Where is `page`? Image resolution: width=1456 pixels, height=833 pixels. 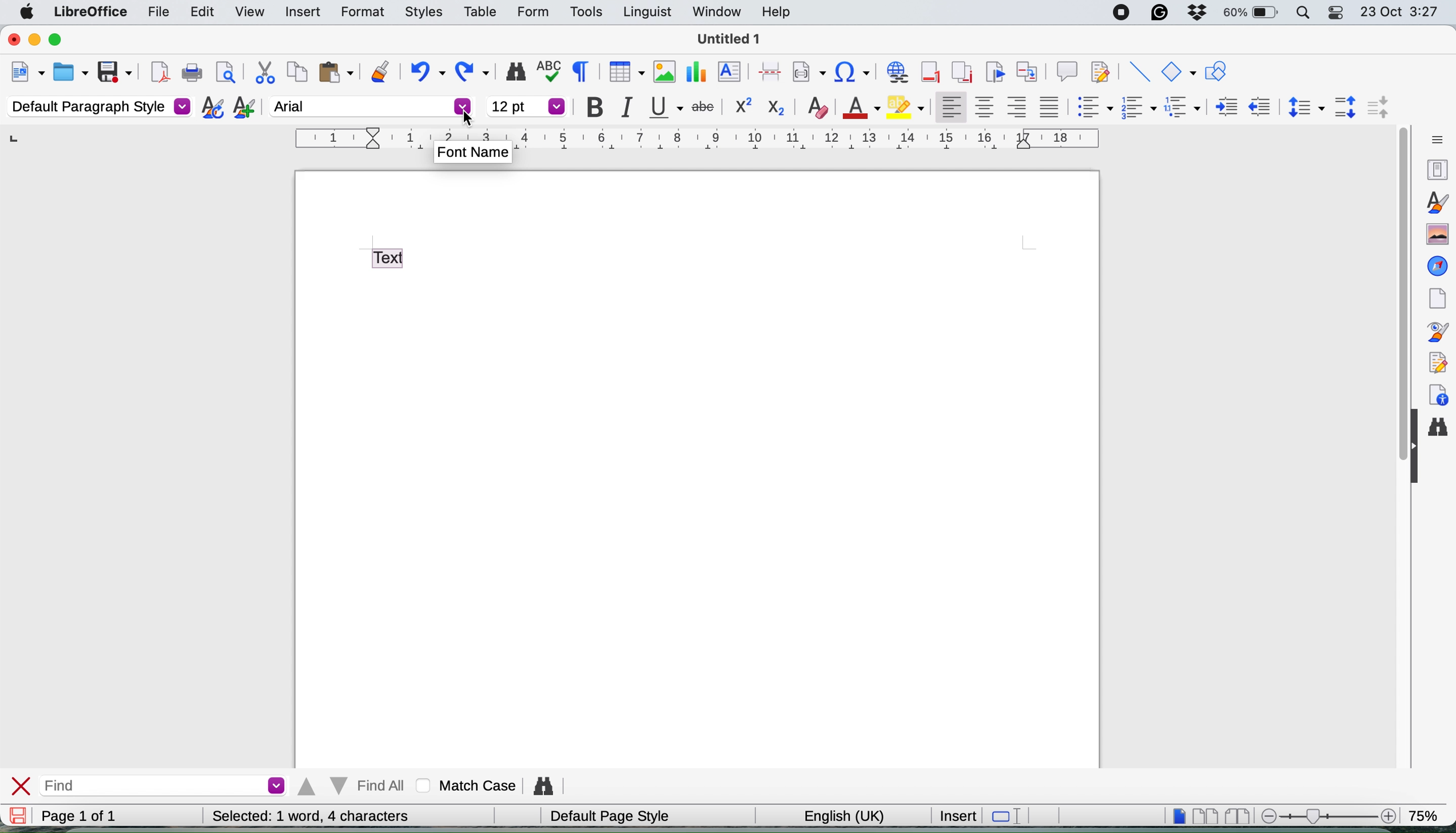 page is located at coordinates (1437, 298).